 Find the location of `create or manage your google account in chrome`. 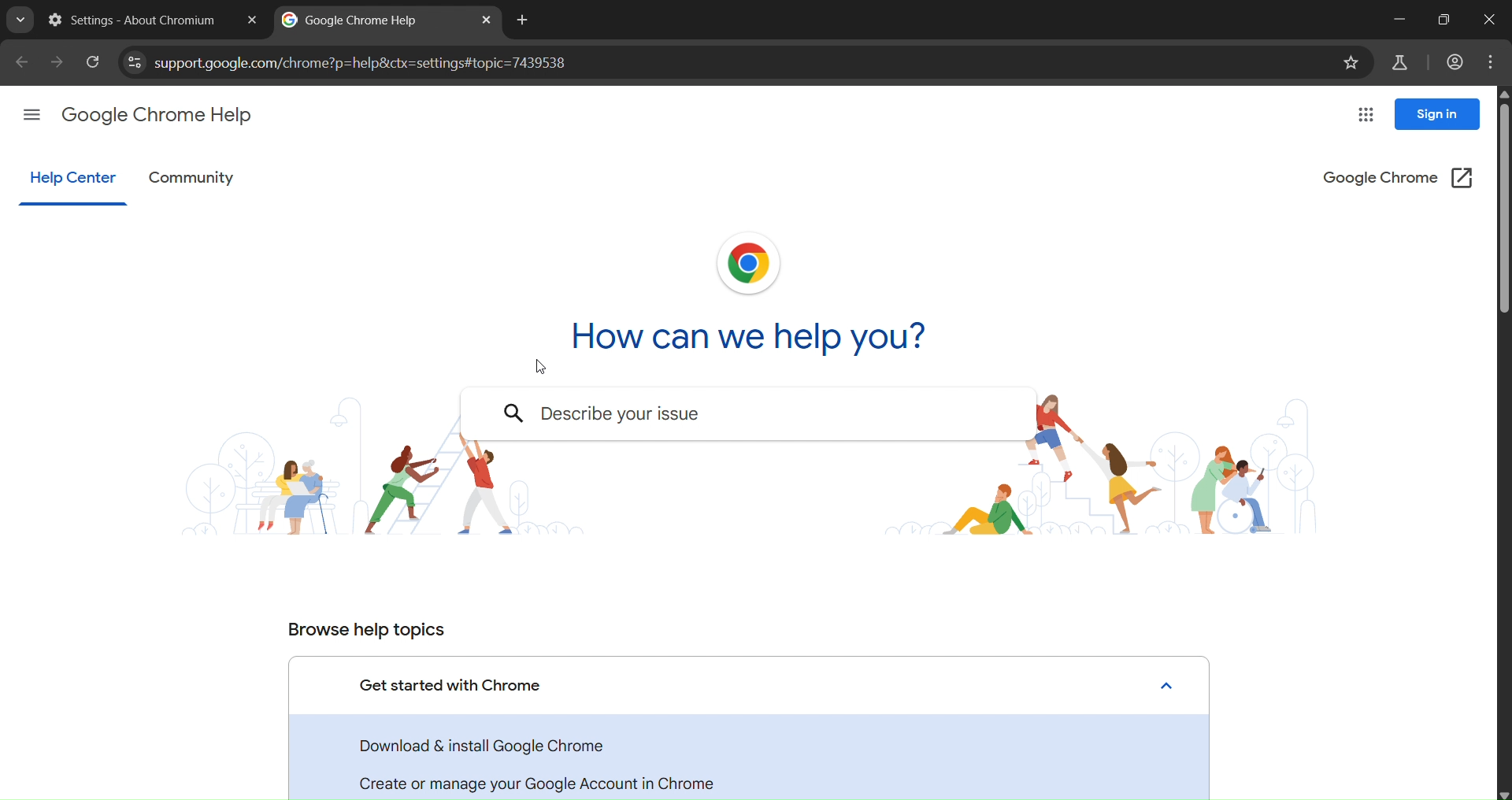

create or manage your google account in chrome is located at coordinates (545, 780).